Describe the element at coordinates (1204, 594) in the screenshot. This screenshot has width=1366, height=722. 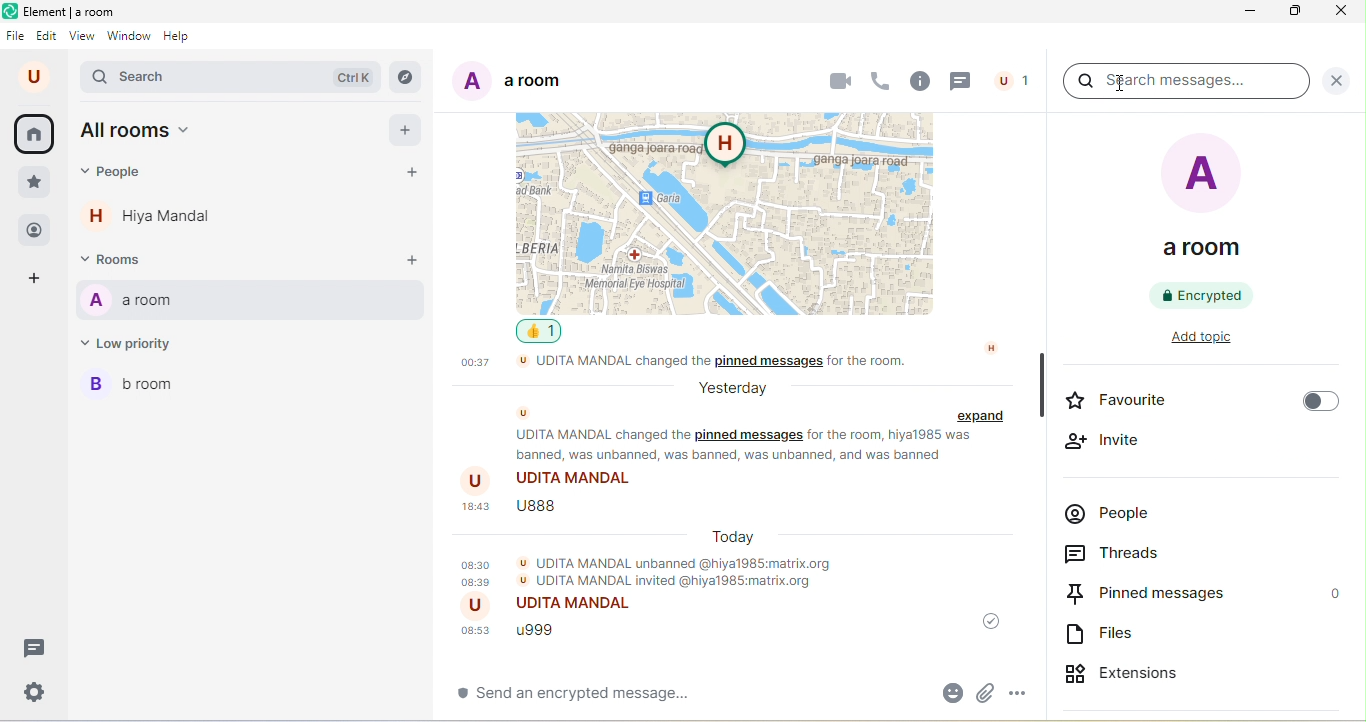
I see `pinned message` at that location.